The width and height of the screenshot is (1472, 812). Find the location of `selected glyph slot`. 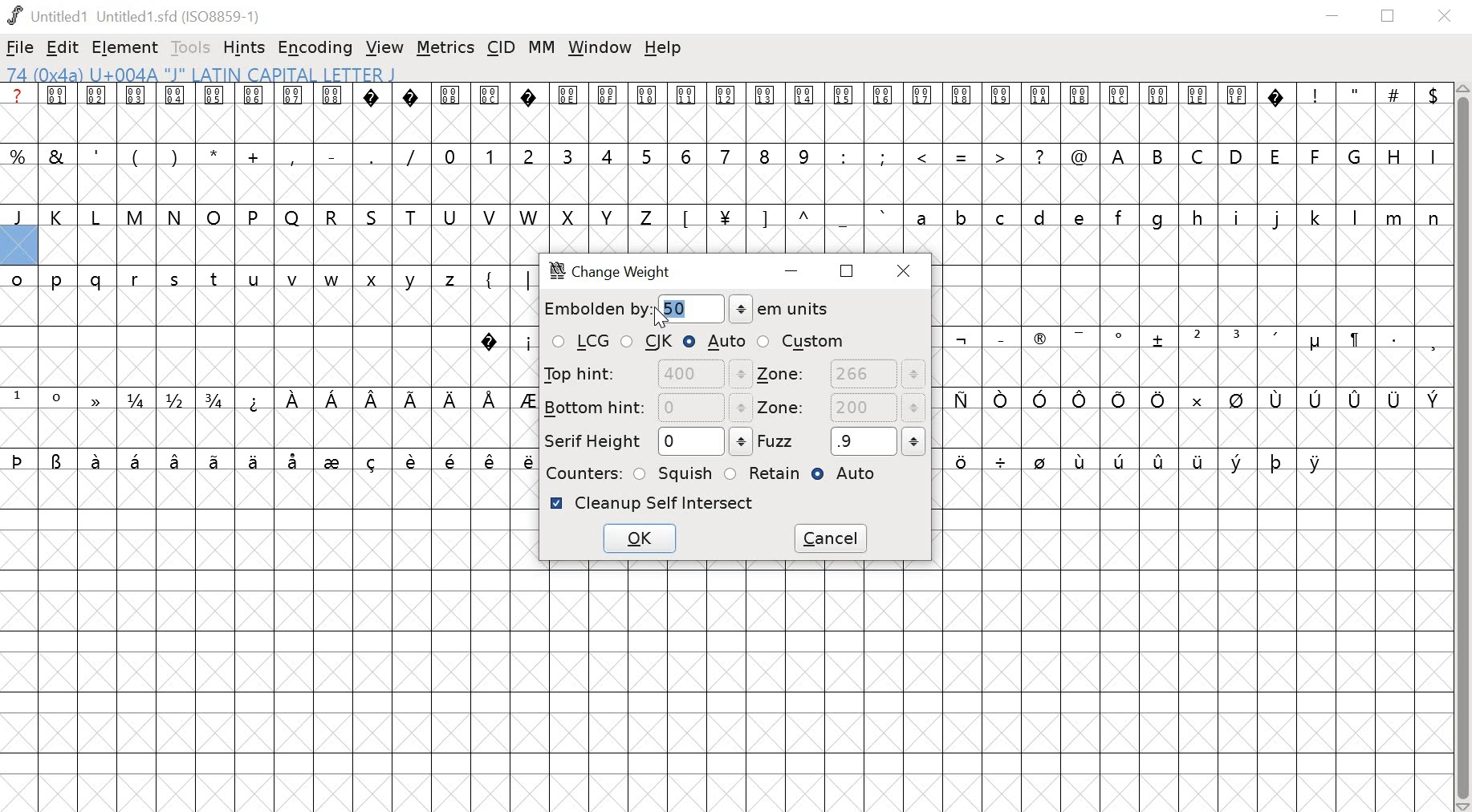

selected glyph slot is located at coordinates (18, 246).